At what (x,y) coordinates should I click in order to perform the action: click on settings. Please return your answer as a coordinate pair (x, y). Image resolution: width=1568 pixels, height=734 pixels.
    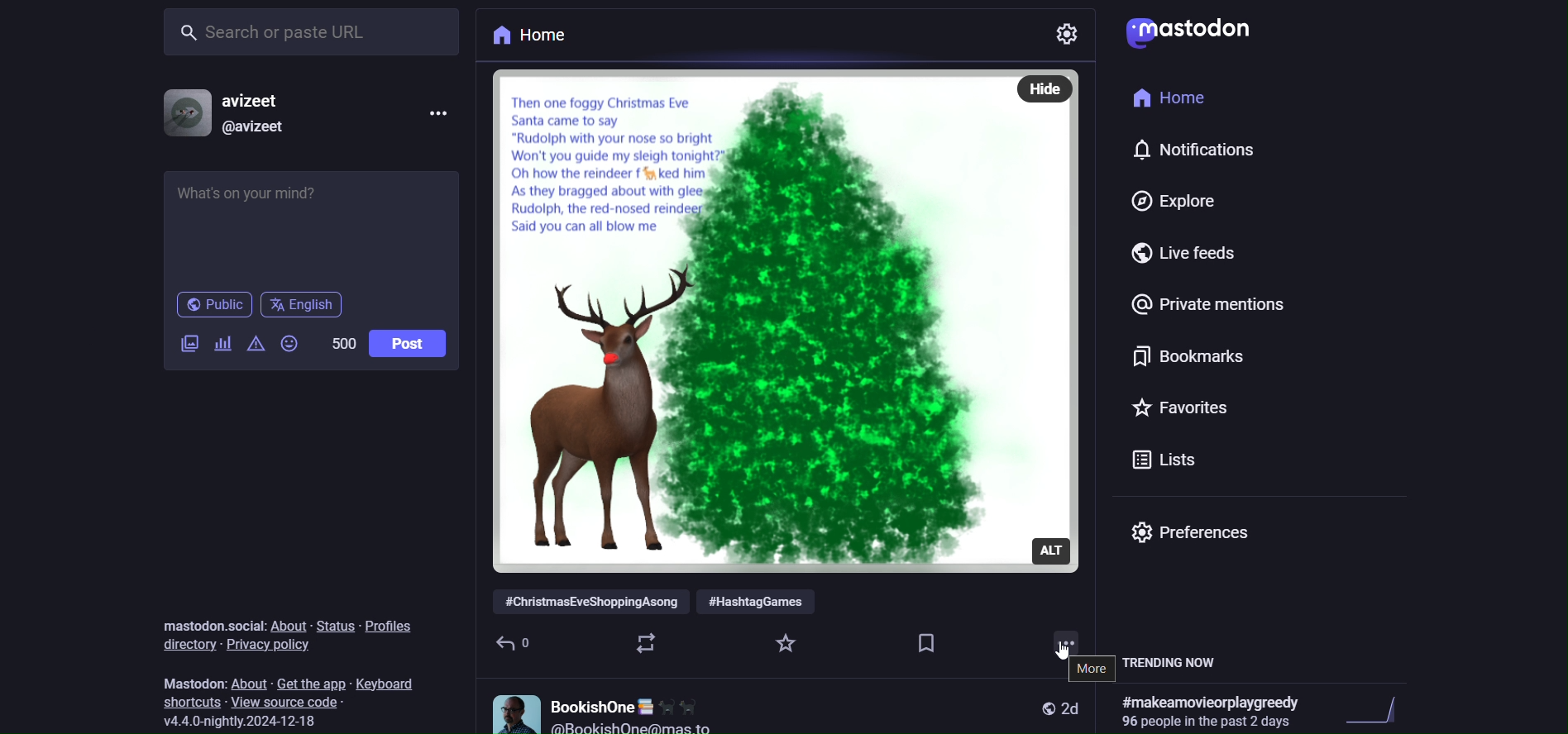
    Looking at the image, I should click on (1070, 34).